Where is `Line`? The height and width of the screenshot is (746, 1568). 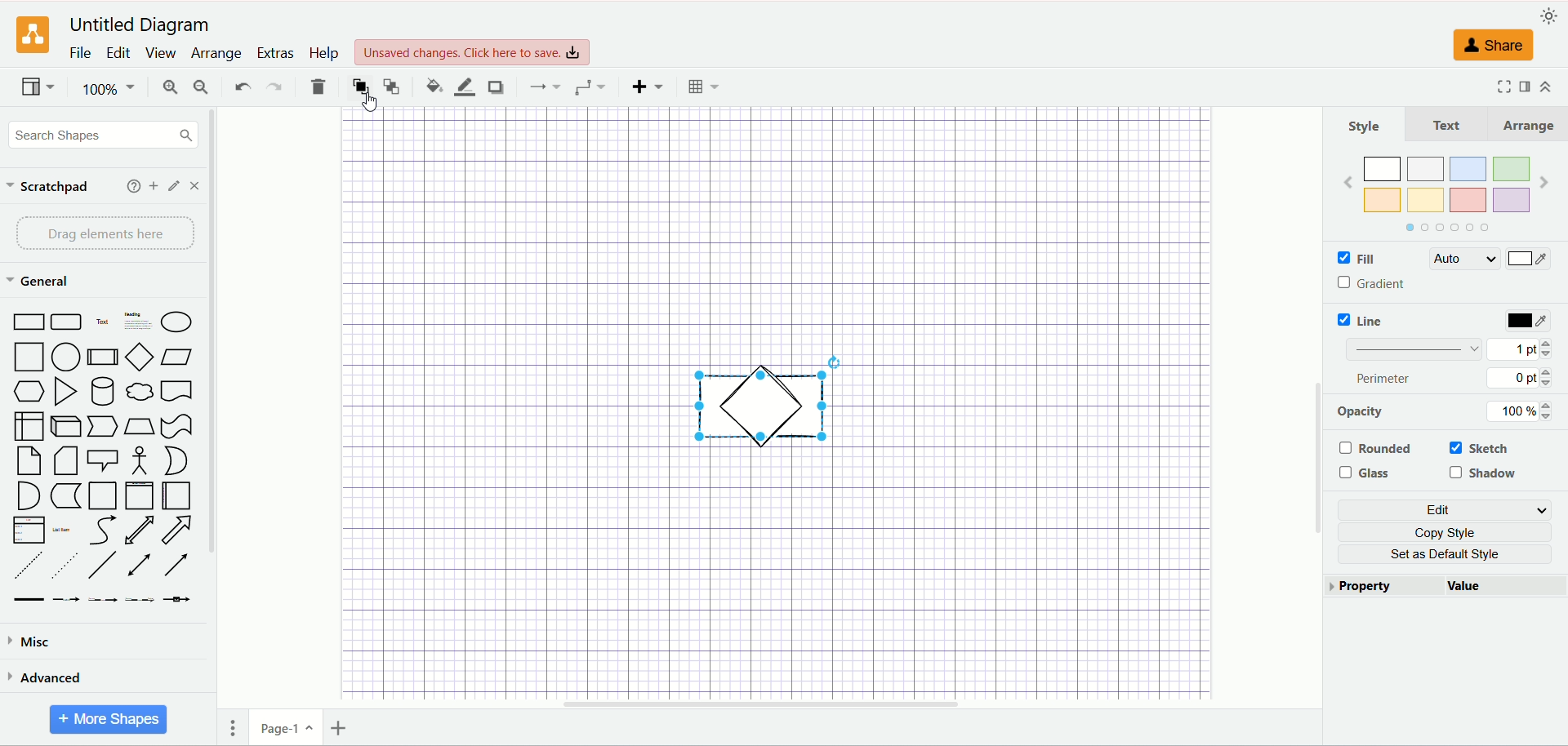 Line is located at coordinates (104, 565).